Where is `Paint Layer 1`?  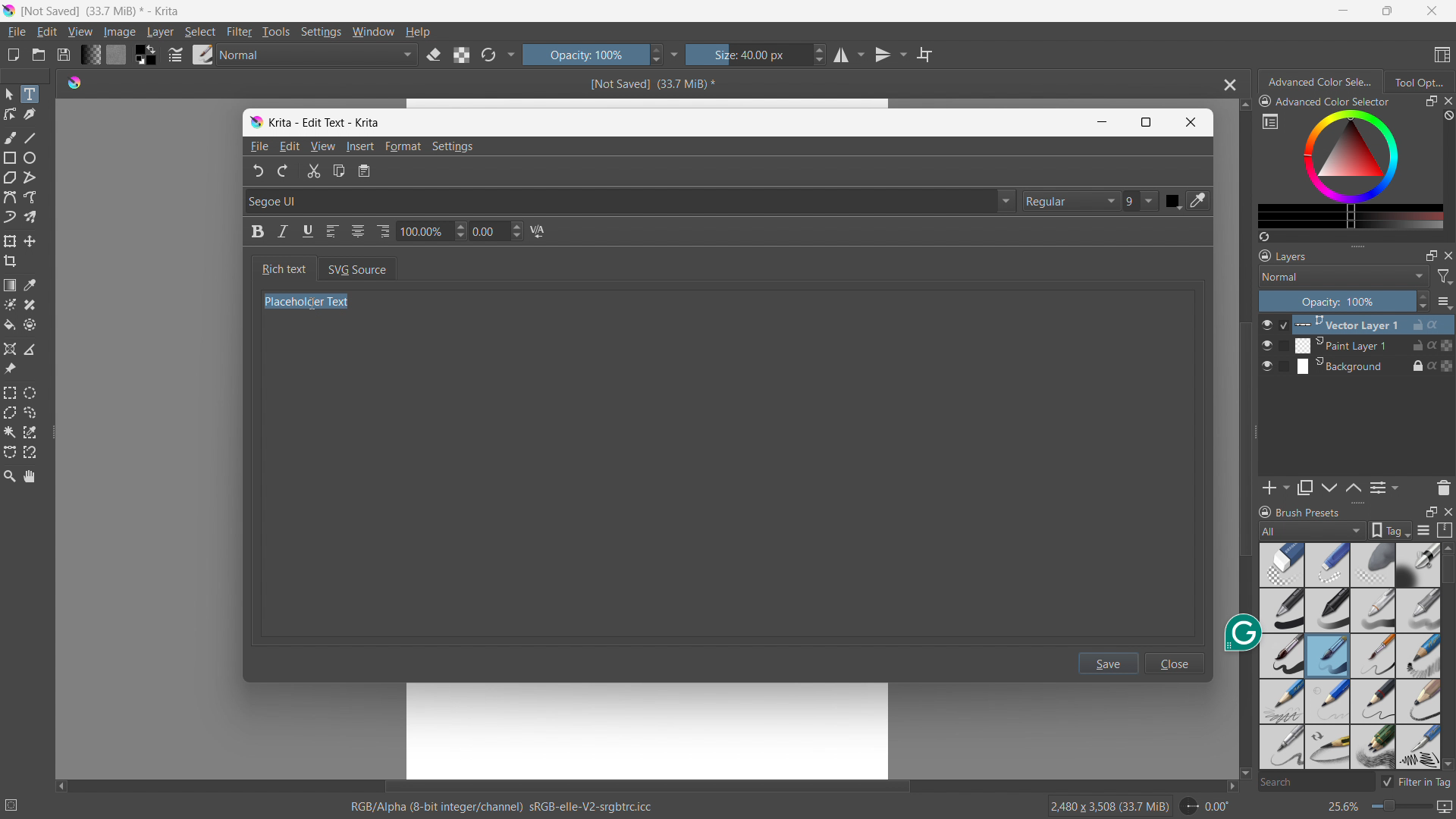 Paint Layer 1 is located at coordinates (1367, 346).